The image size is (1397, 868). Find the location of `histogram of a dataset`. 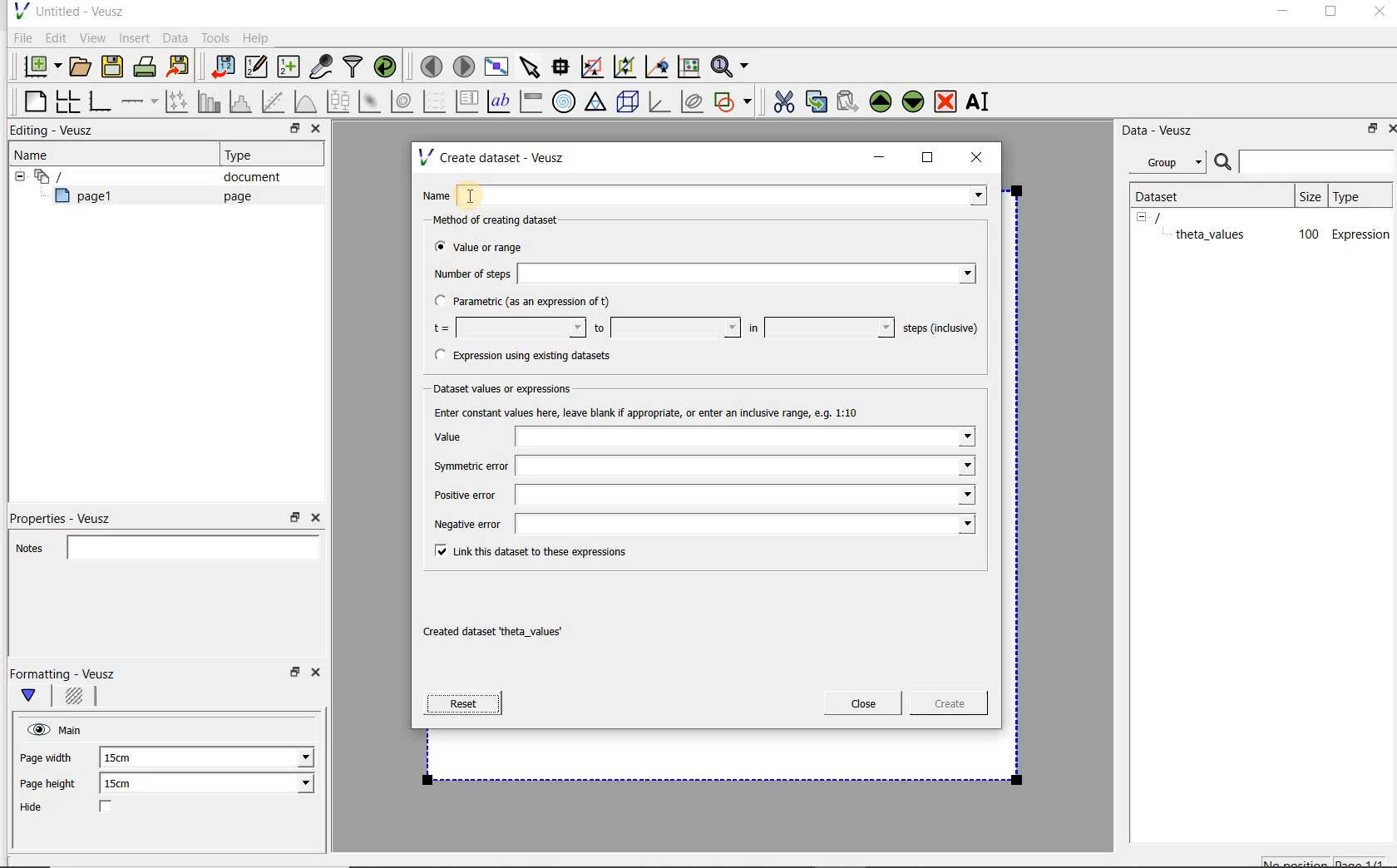

histogram of a dataset is located at coordinates (243, 101).